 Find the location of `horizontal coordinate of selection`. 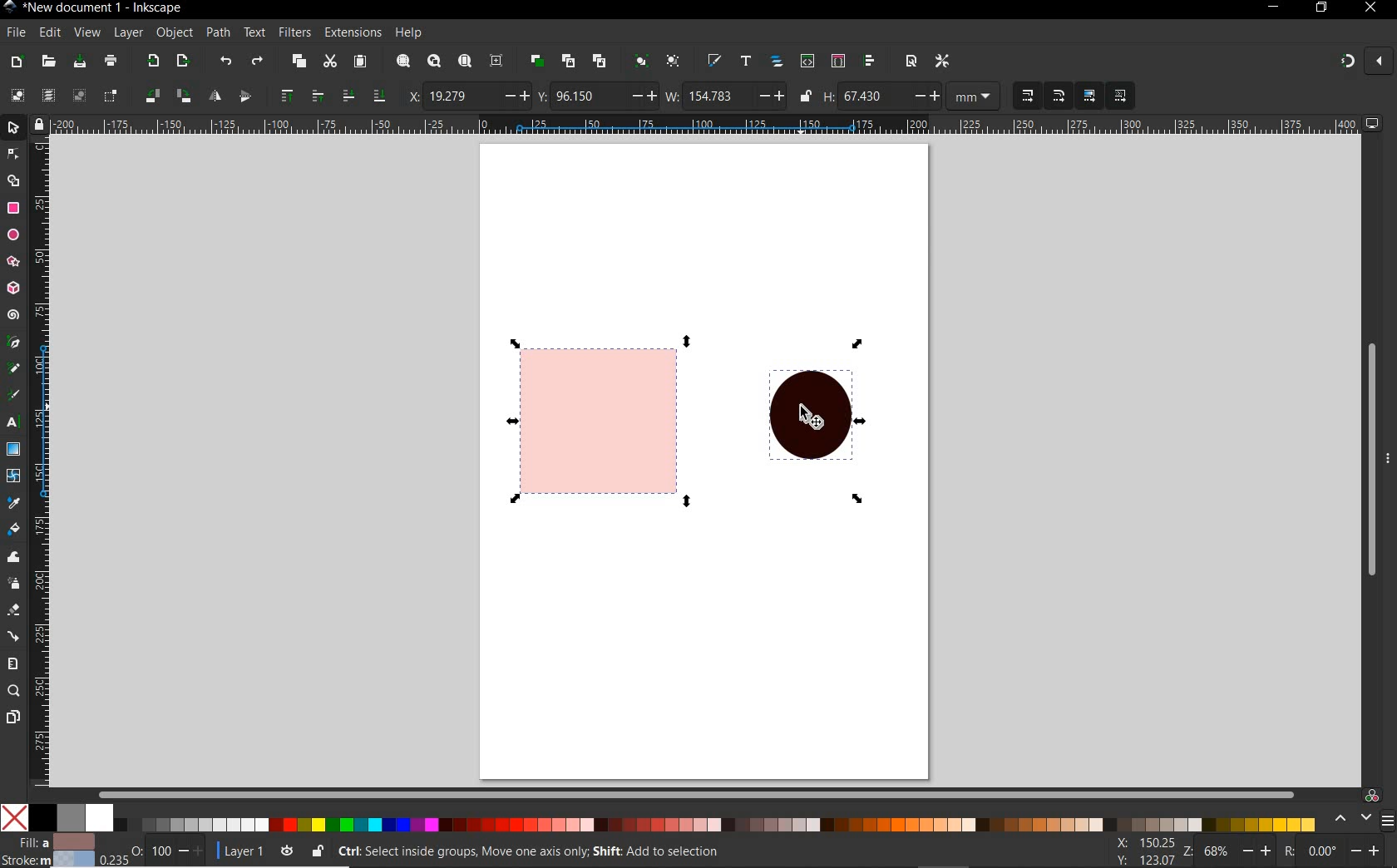

horizontal coordinate of selection is located at coordinates (468, 96).